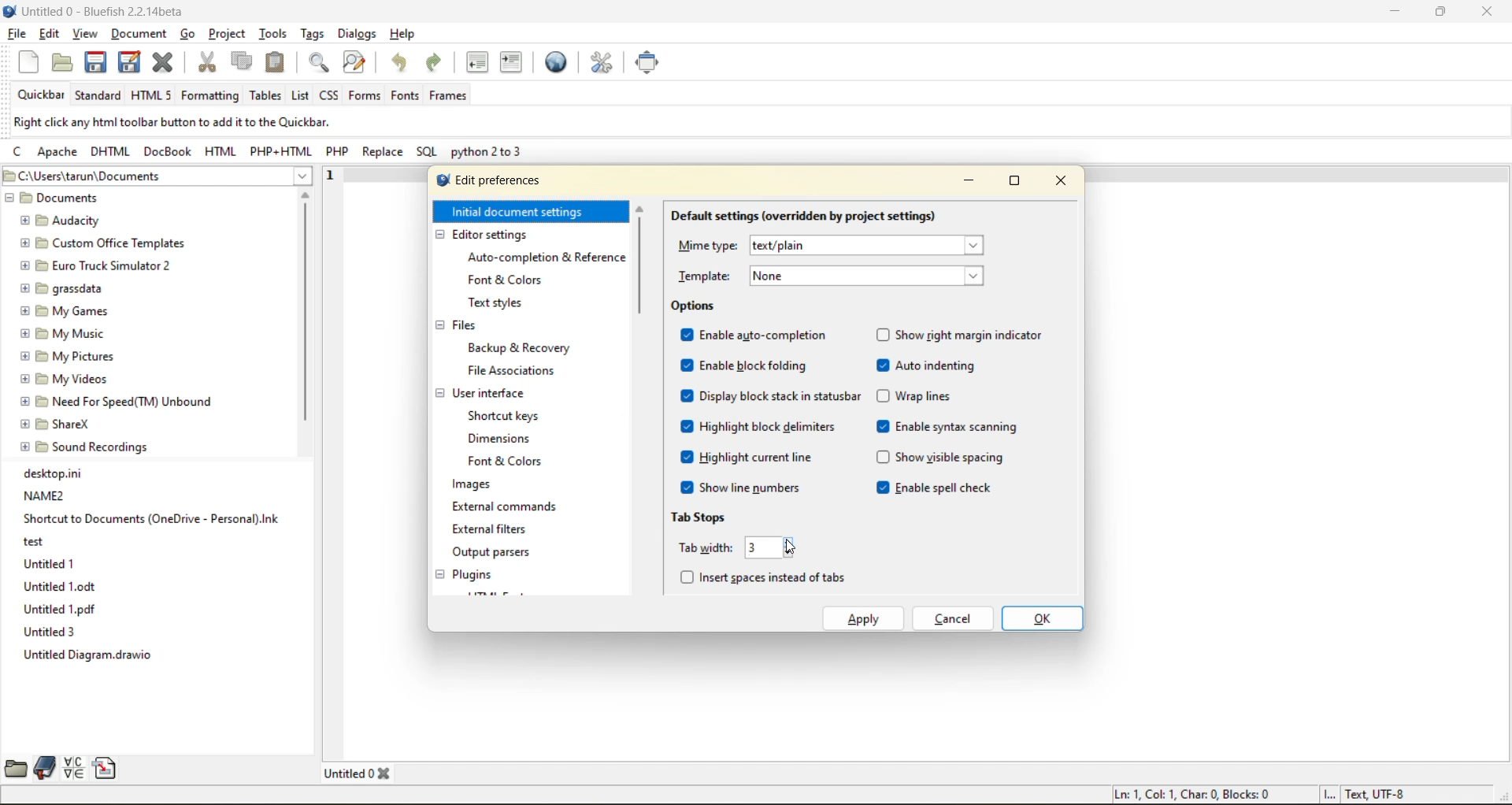  I want to click on tables, so click(265, 97).